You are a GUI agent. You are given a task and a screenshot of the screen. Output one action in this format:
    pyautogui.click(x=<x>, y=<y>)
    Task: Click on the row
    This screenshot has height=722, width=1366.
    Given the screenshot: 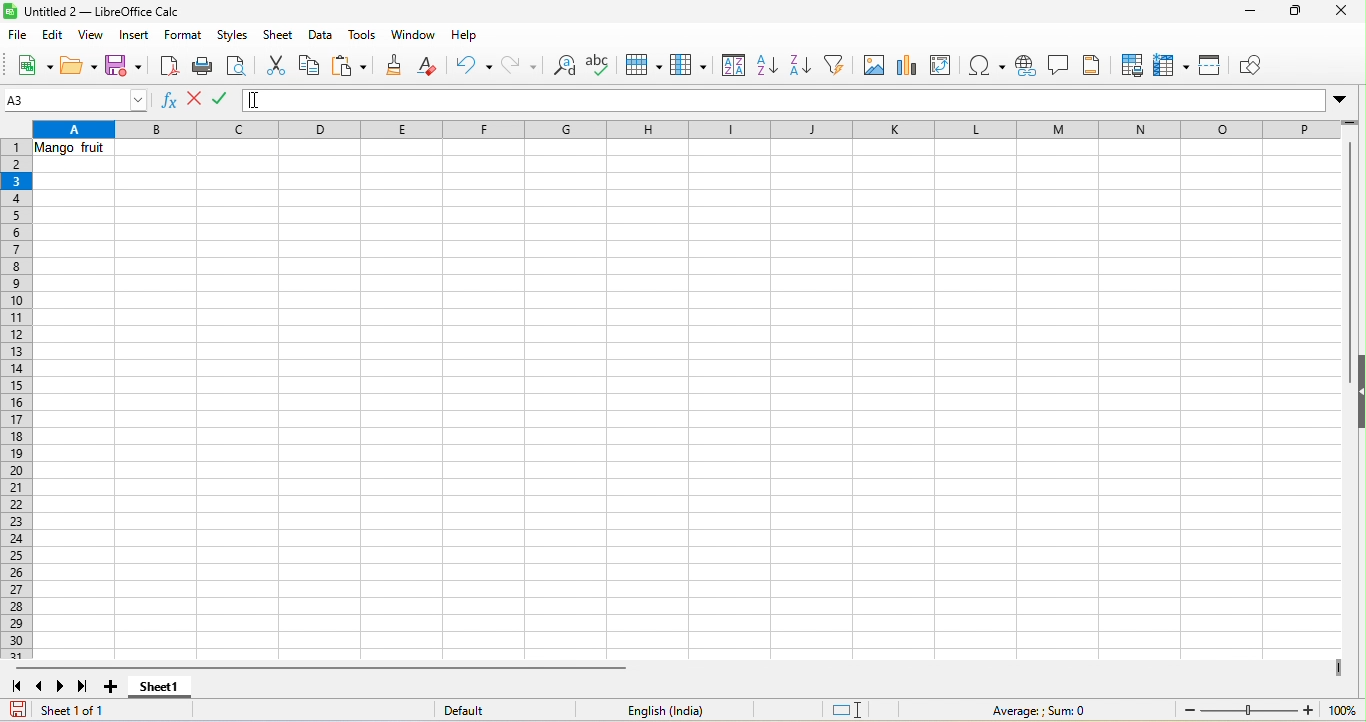 What is the action you would take?
    pyautogui.click(x=642, y=67)
    